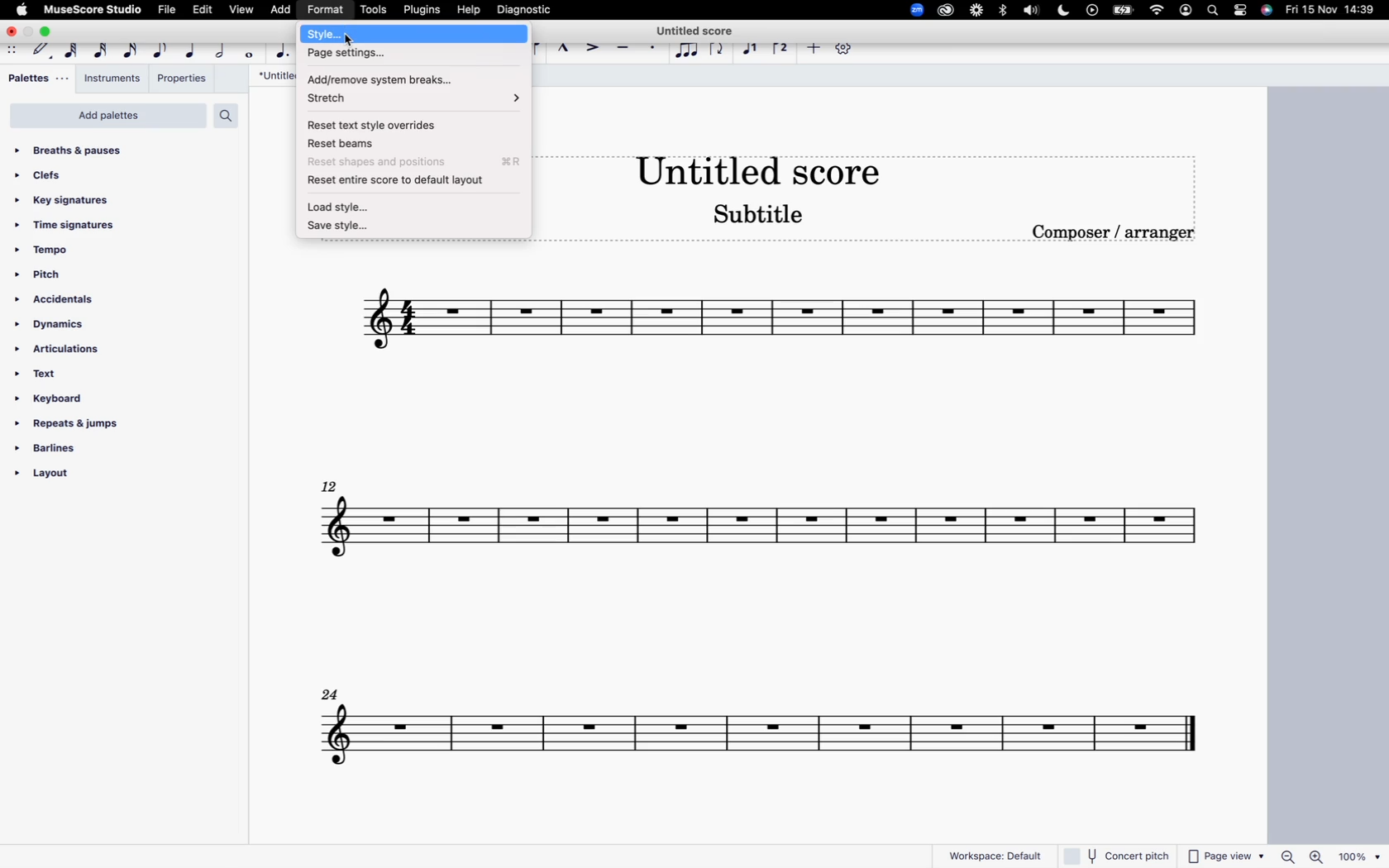 This screenshot has width=1389, height=868. Describe the element at coordinates (1091, 11) in the screenshot. I see `play` at that location.